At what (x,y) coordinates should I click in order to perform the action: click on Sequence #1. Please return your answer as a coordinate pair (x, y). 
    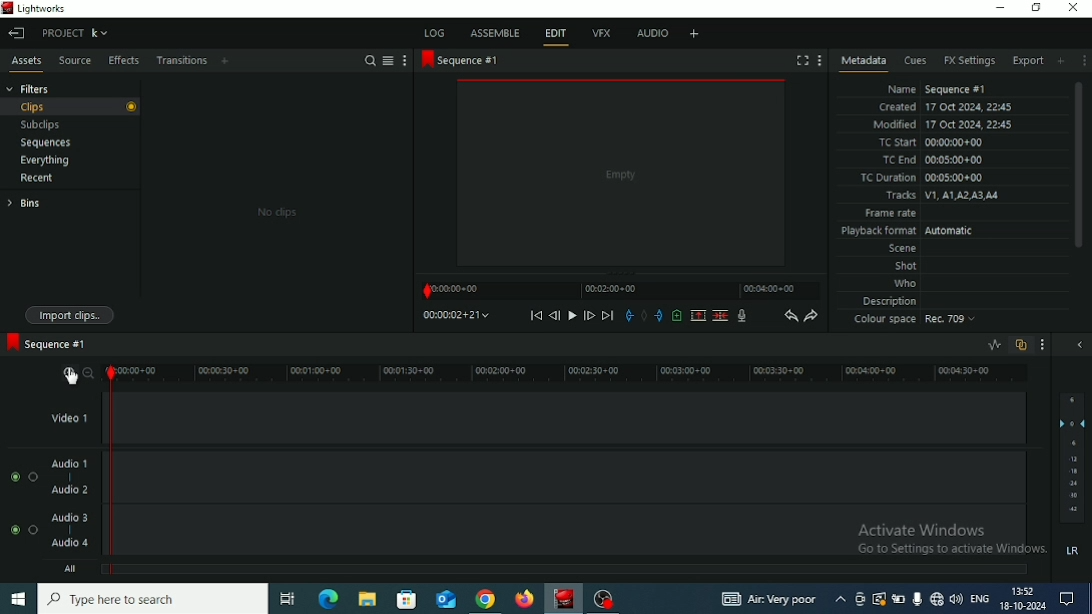
    Looking at the image, I should click on (461, 61).